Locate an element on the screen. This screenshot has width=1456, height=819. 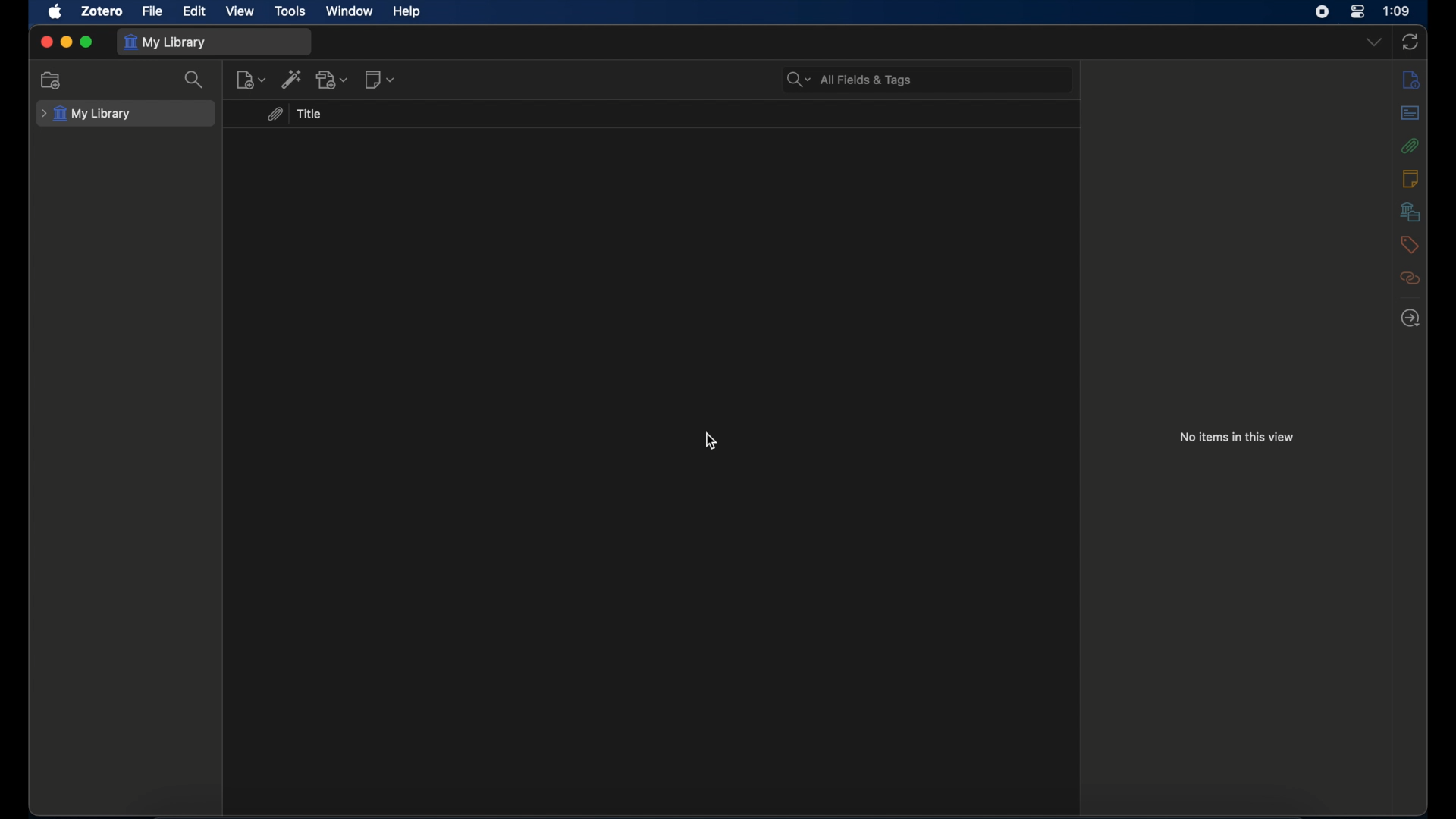
search bar is located at coordinates (849, 78).